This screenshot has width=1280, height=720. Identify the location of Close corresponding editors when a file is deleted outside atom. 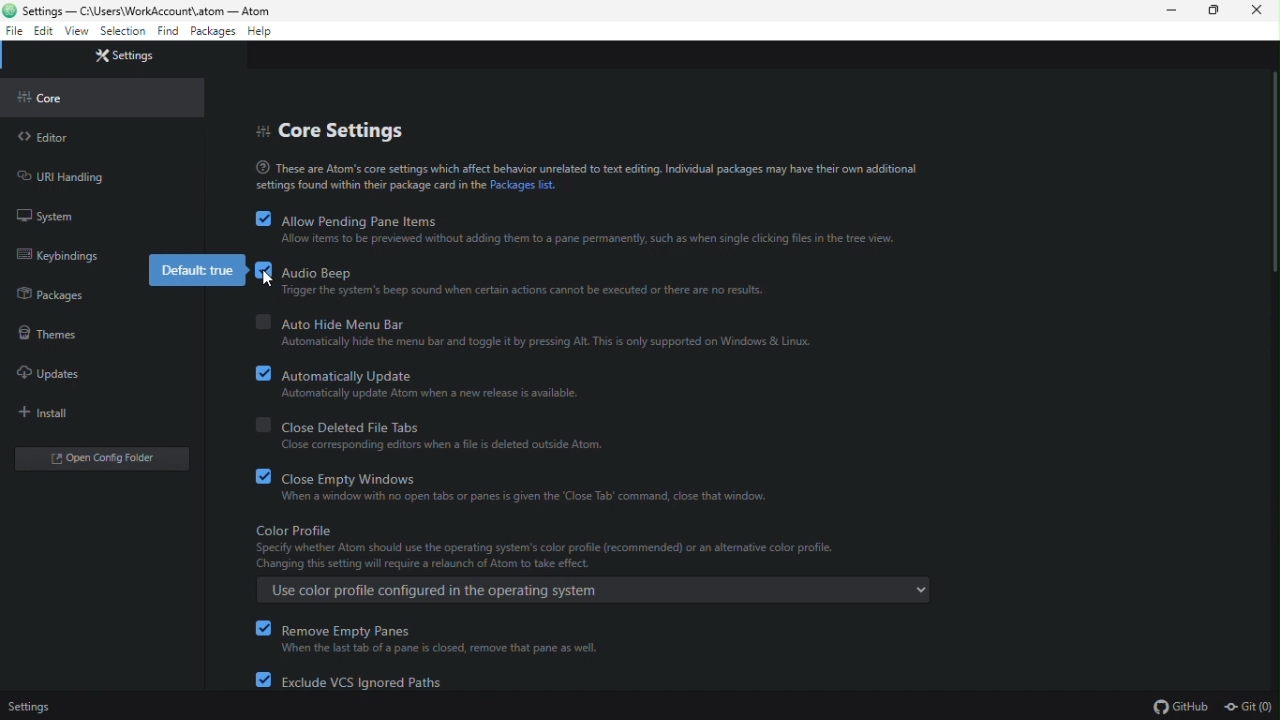
(440, 447).